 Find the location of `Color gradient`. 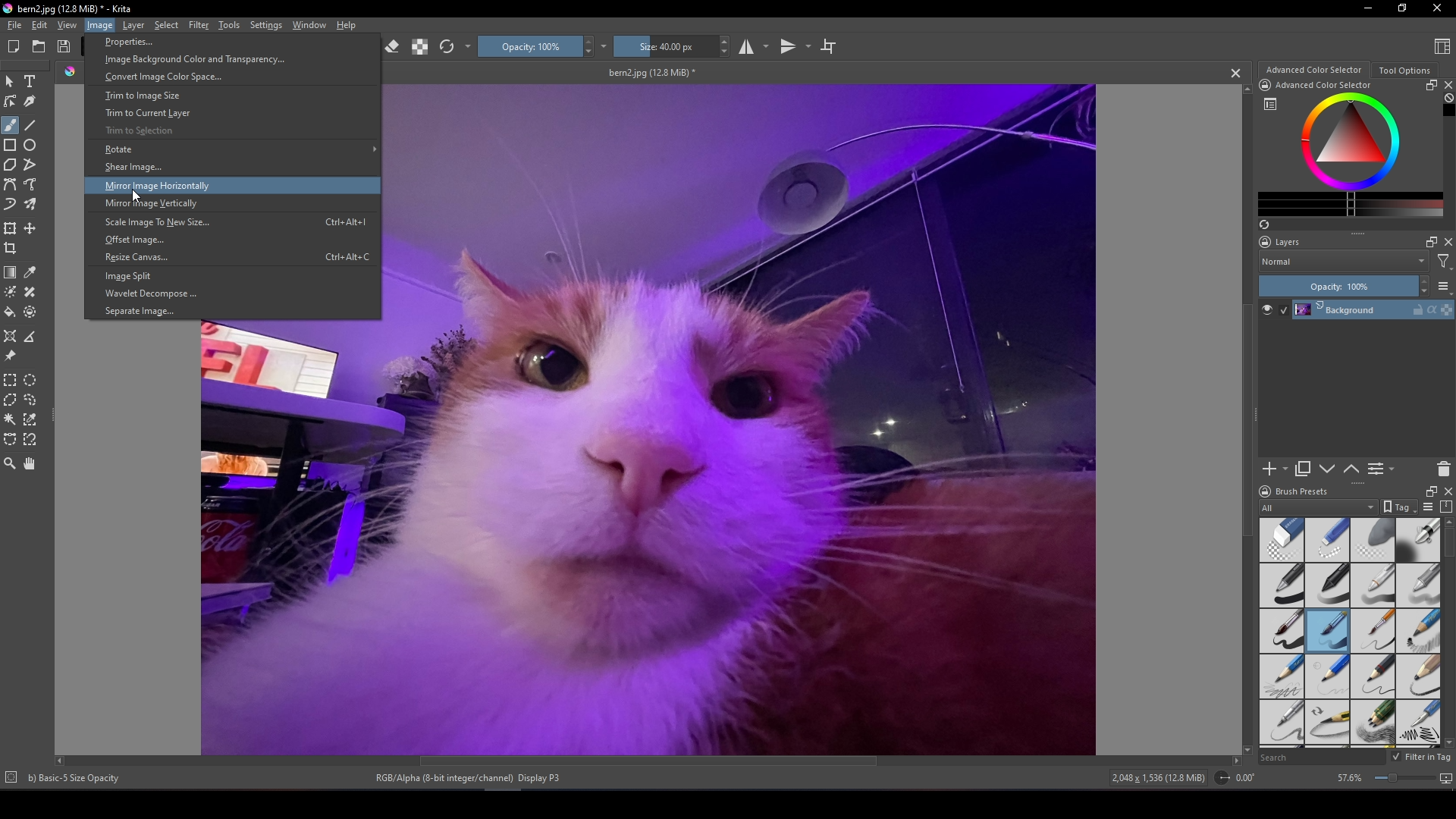

Color gradient is located at coordinates (1352, 203).